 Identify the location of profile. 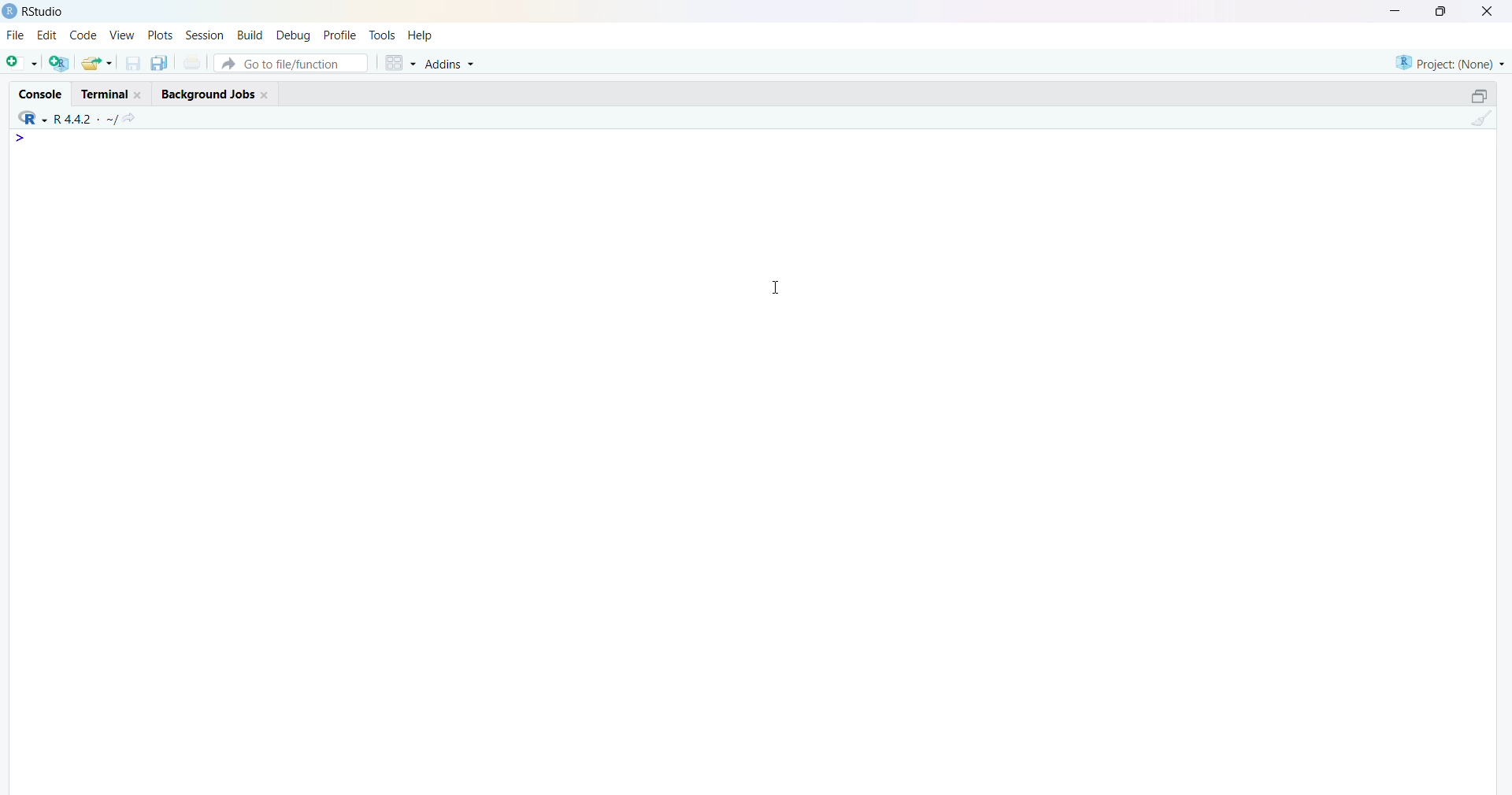
(343, 35).